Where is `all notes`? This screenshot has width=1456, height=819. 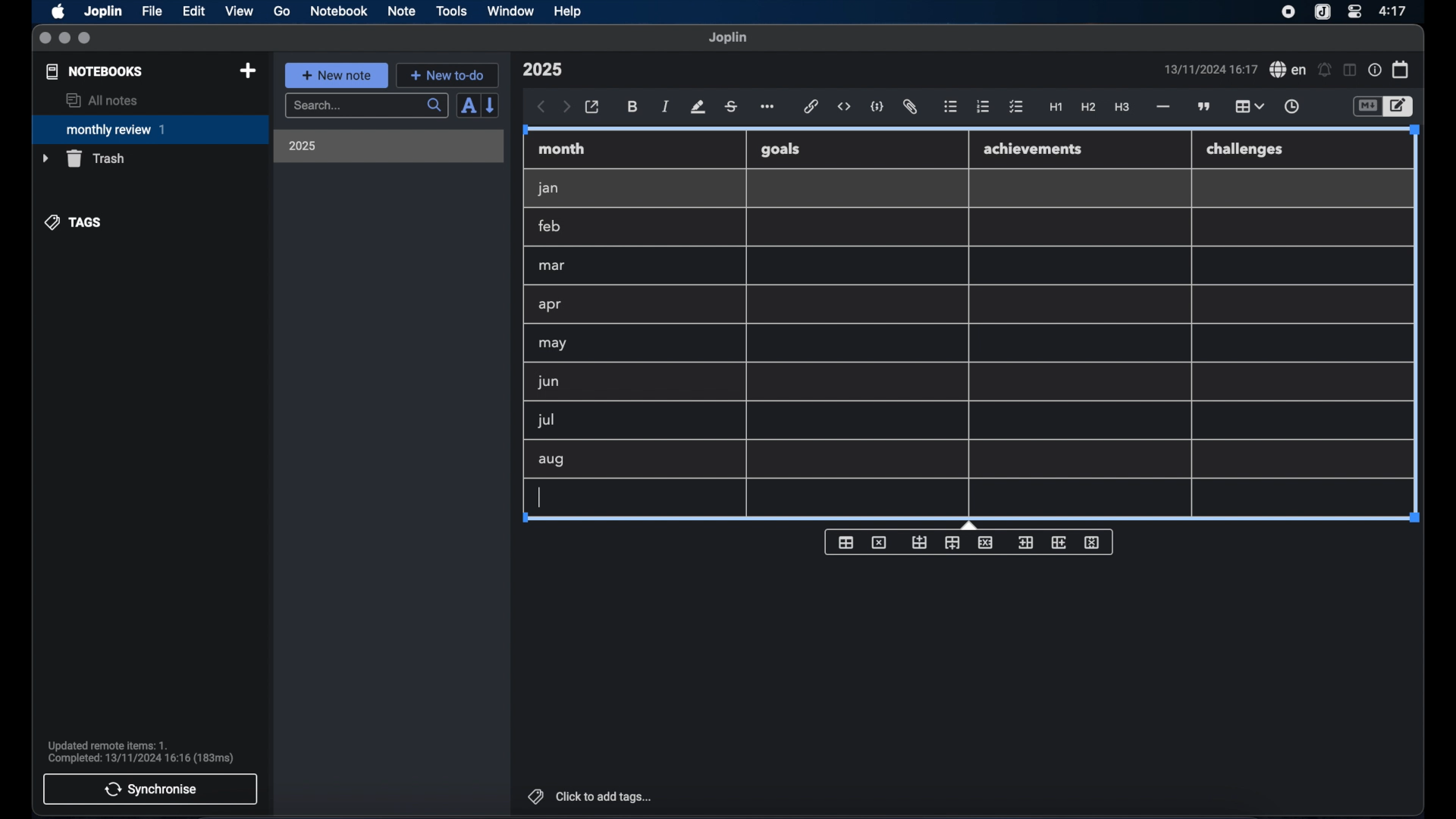
all notes is located at coordinates (102, 100).